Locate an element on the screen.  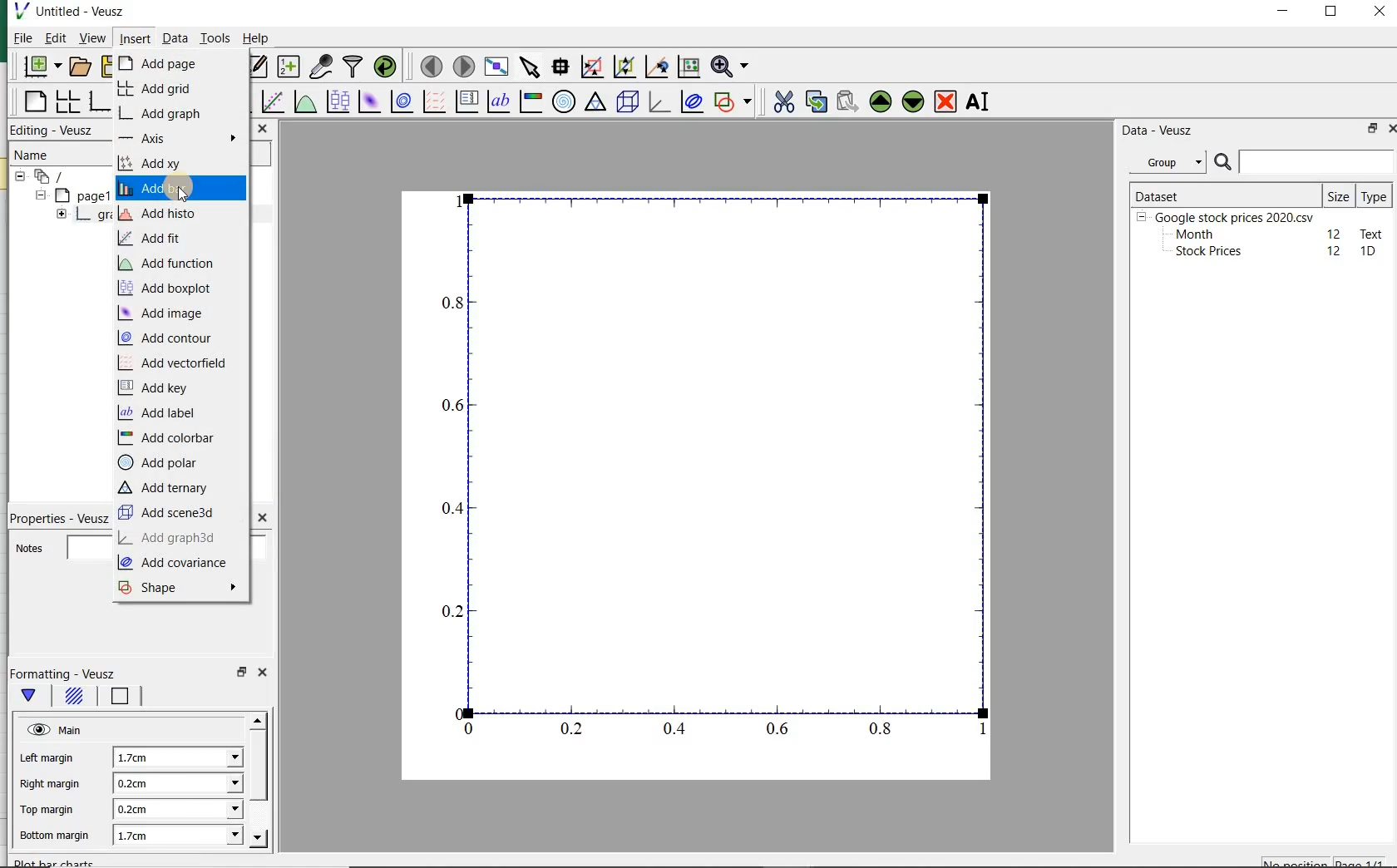
Stock prices is located at coordinates (1201, 252).